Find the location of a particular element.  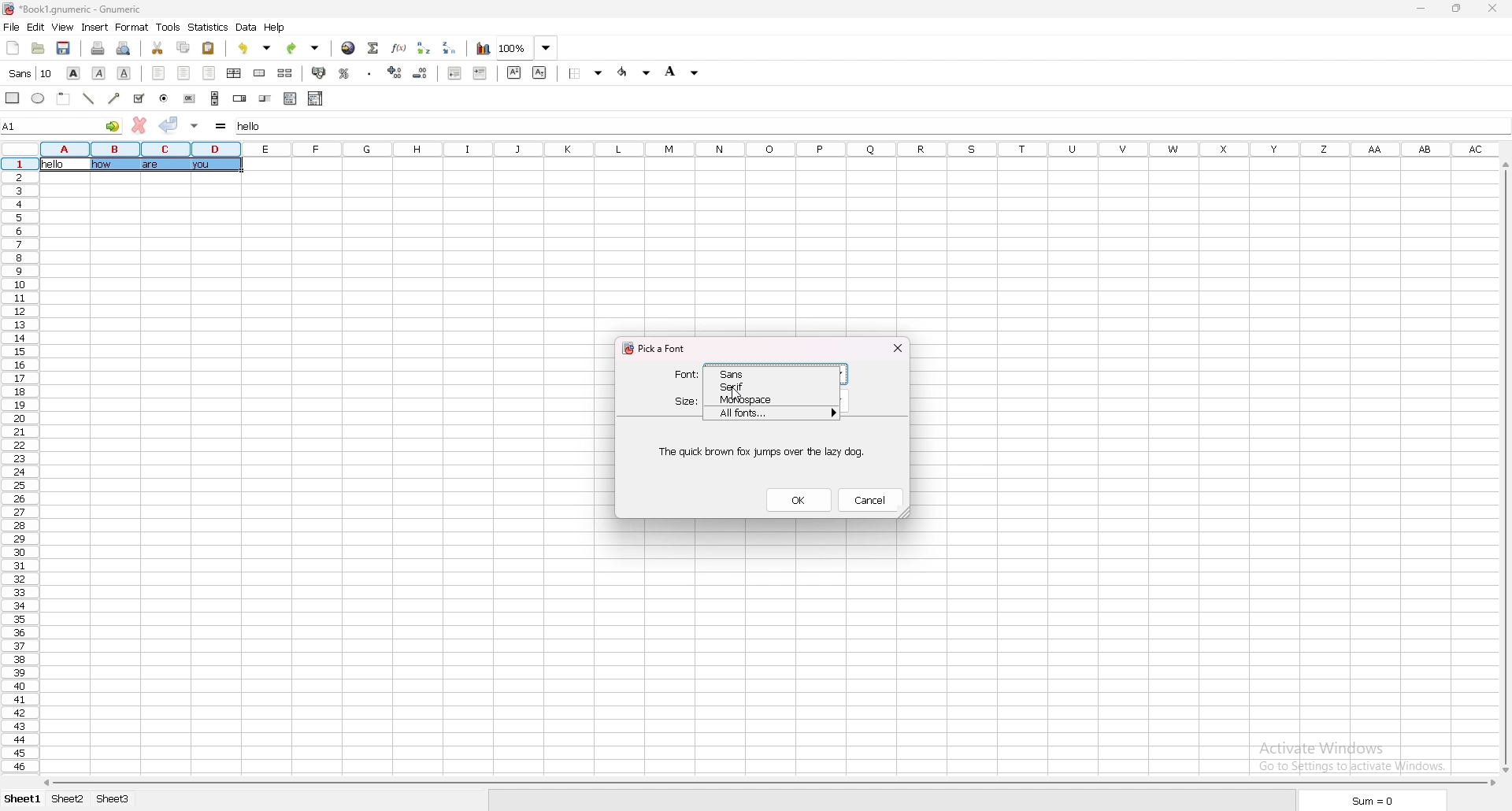

insert is located at coordinates (96, 26).